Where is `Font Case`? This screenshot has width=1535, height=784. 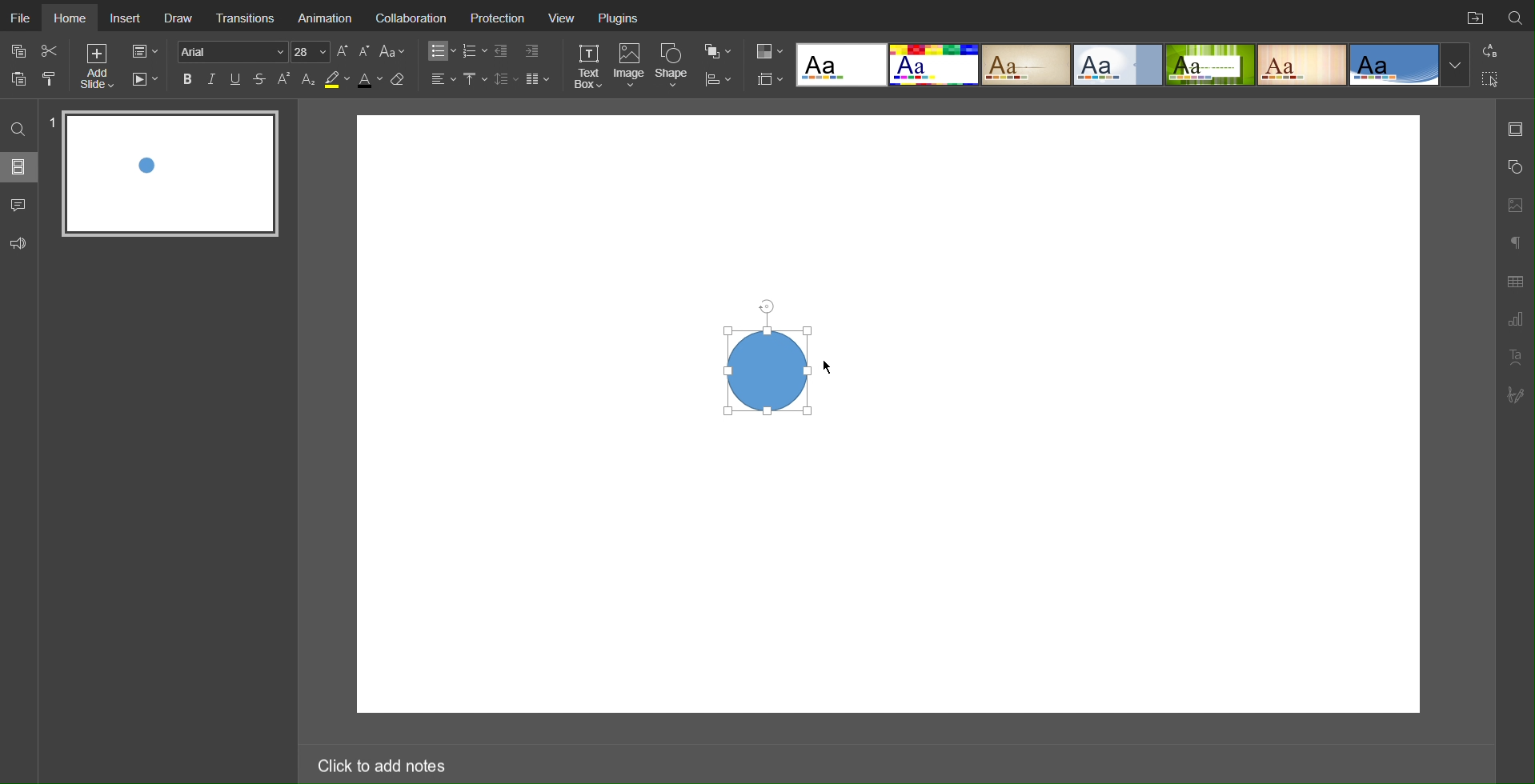 Font Case is located at coordinates (394, 51).